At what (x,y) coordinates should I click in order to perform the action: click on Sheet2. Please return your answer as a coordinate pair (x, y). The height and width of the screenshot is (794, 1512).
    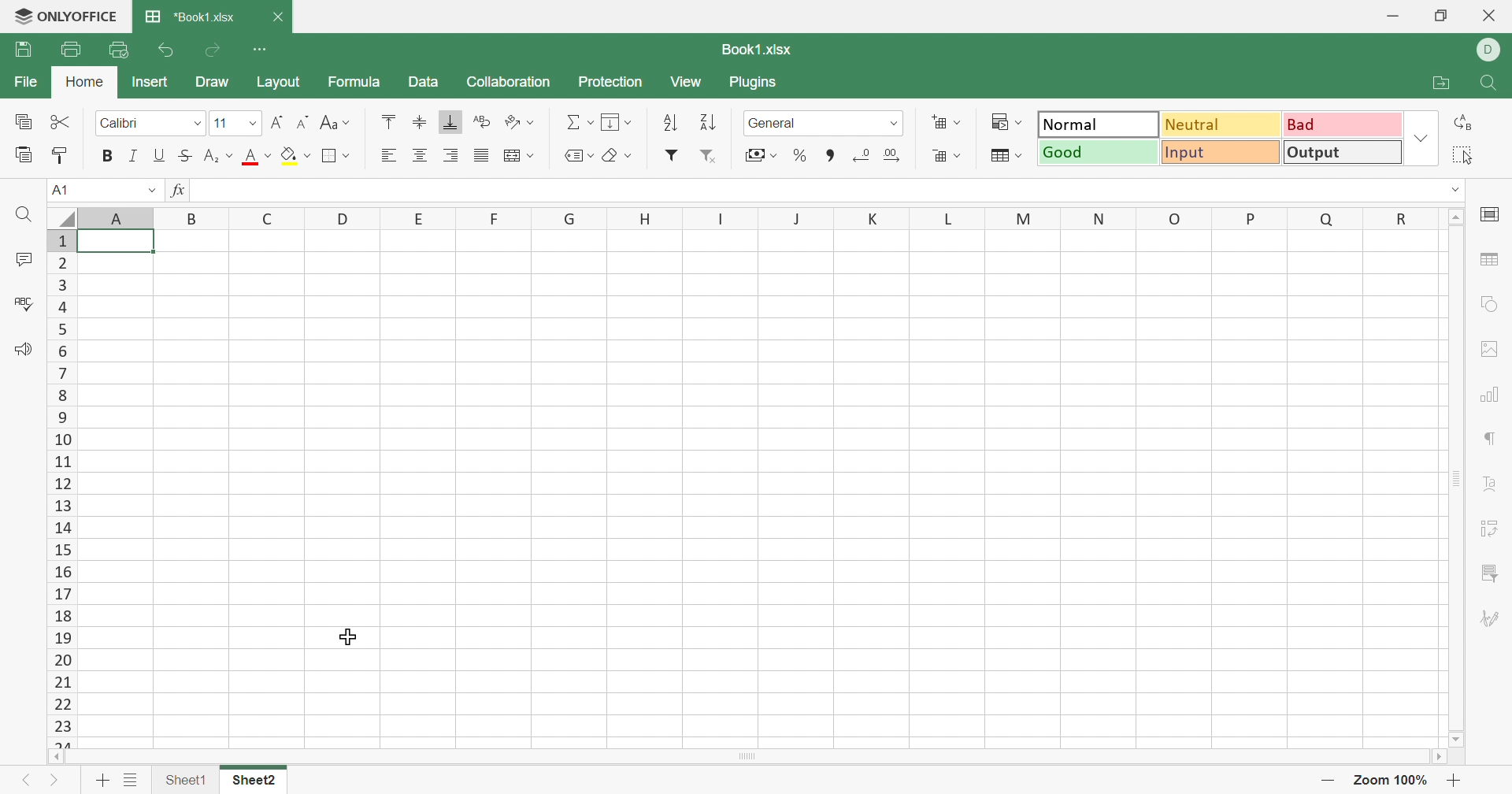
    Looking at the image, I should click on (258, 781).